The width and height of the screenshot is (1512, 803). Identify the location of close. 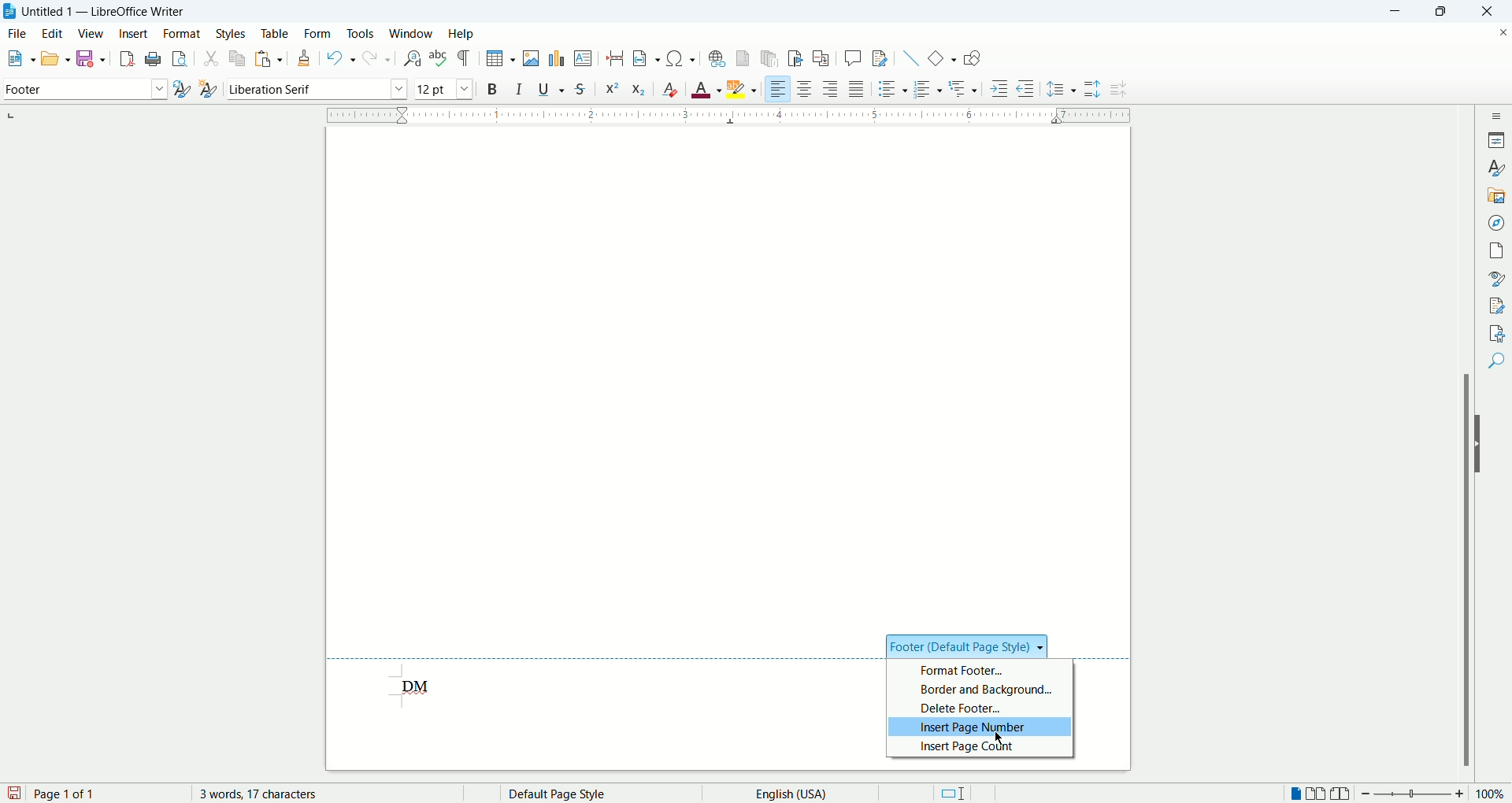
(1492, 11).